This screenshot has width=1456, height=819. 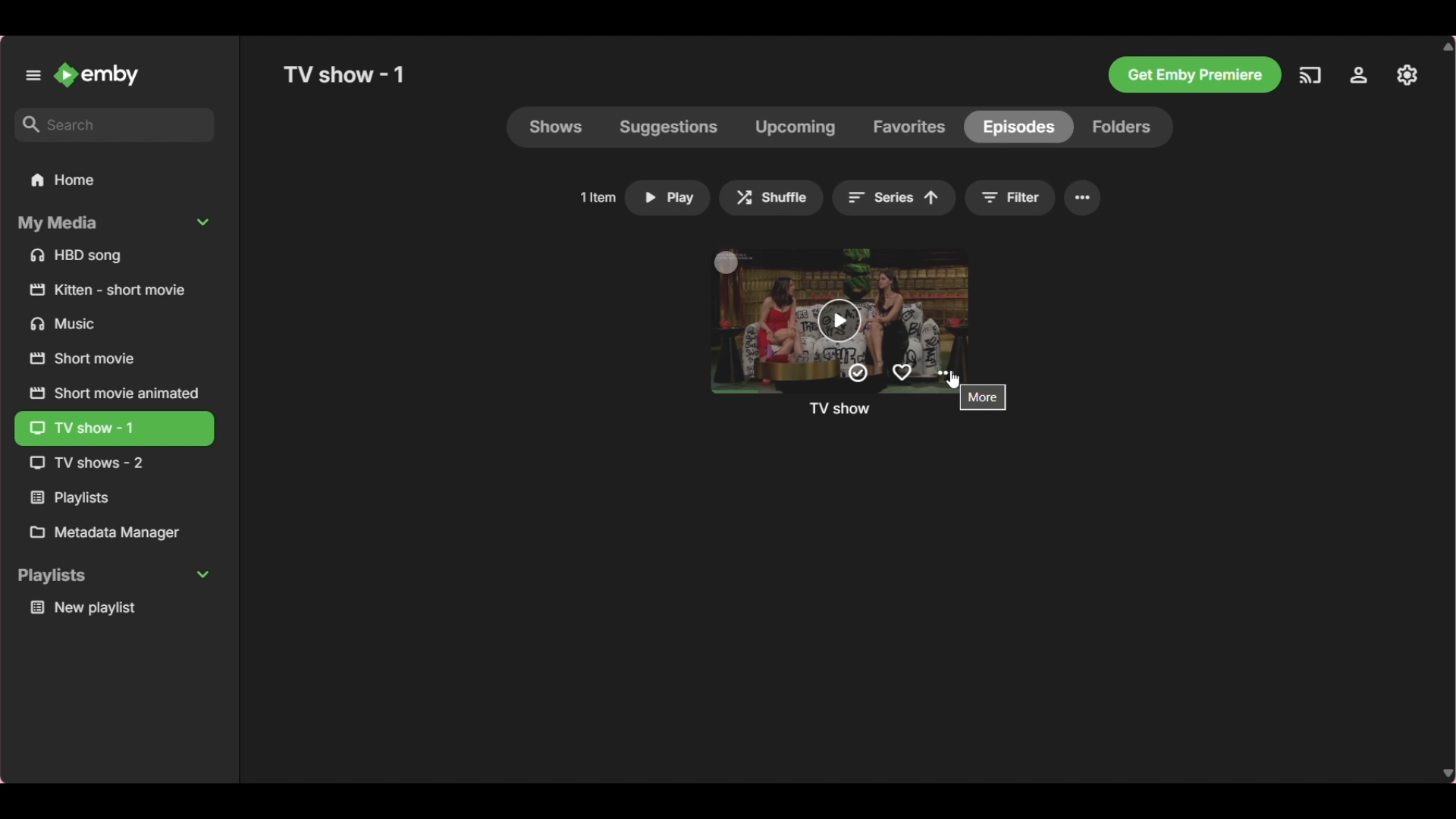 I want to click on Home folder, current selection highlighted, so click(x=114, y=180).